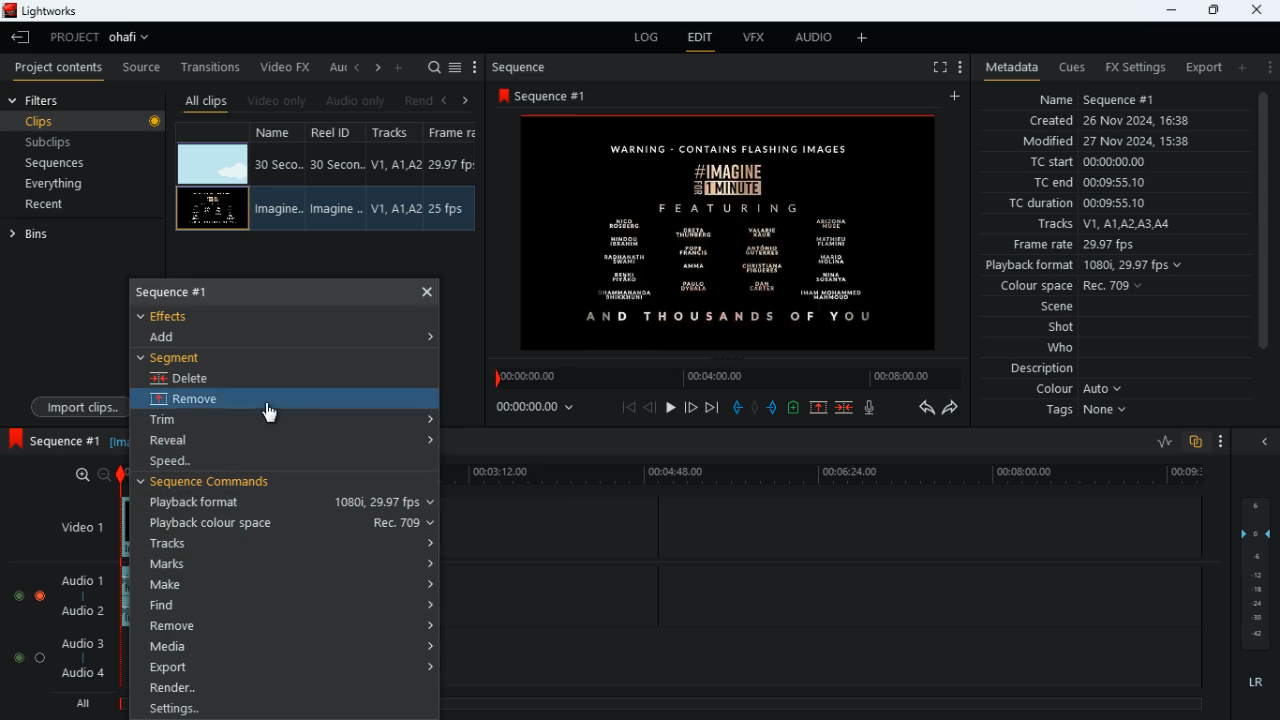  What do you see at coordinates (197, 708) in the screenshot?
I see `settings` at bounding box center [197, 708].